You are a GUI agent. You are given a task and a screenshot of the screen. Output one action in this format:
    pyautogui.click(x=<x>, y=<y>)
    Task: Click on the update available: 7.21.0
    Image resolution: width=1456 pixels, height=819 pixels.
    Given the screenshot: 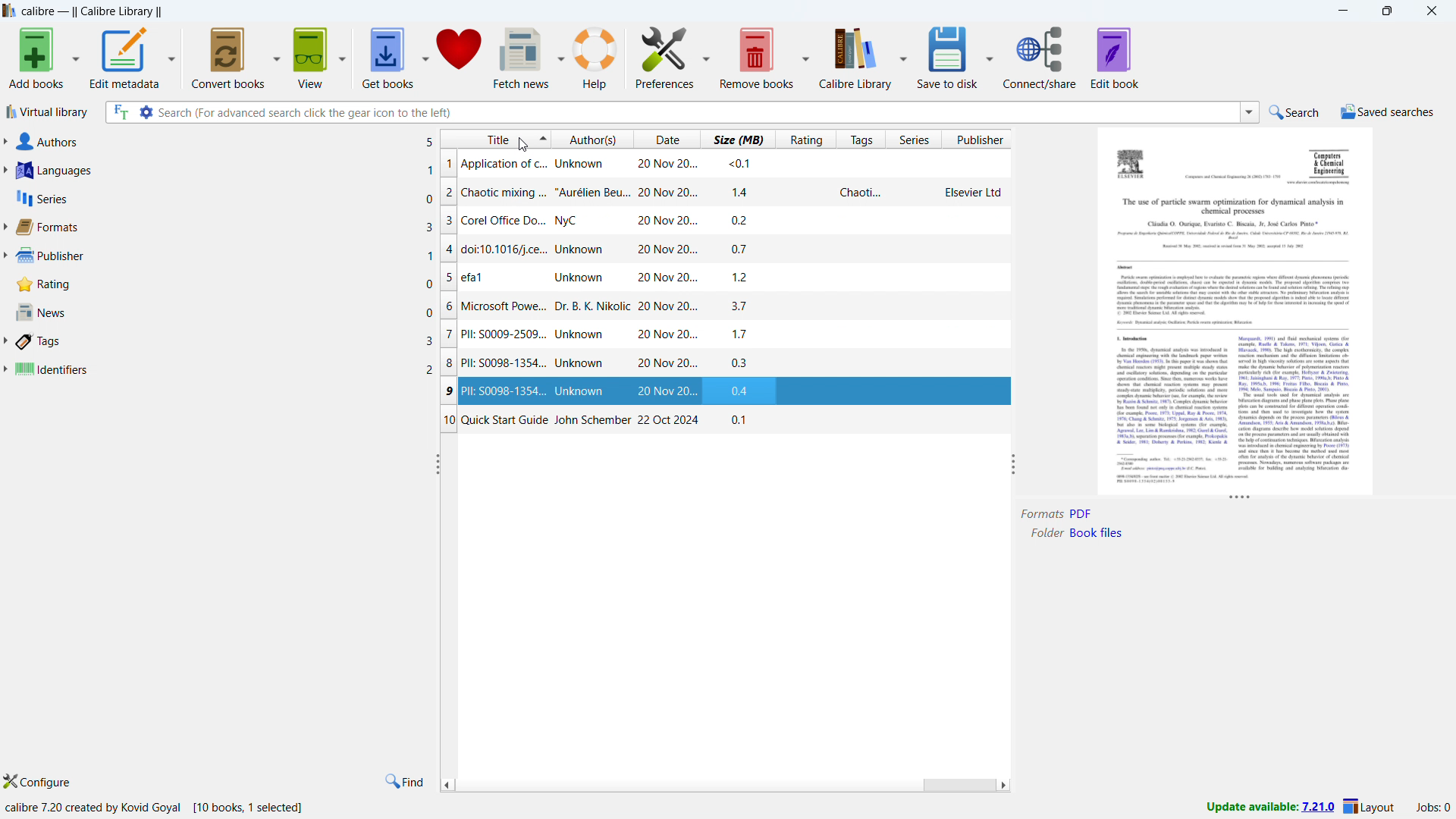 What is the action you would take?
    pyautogui.click(x=1269, y=805)
    